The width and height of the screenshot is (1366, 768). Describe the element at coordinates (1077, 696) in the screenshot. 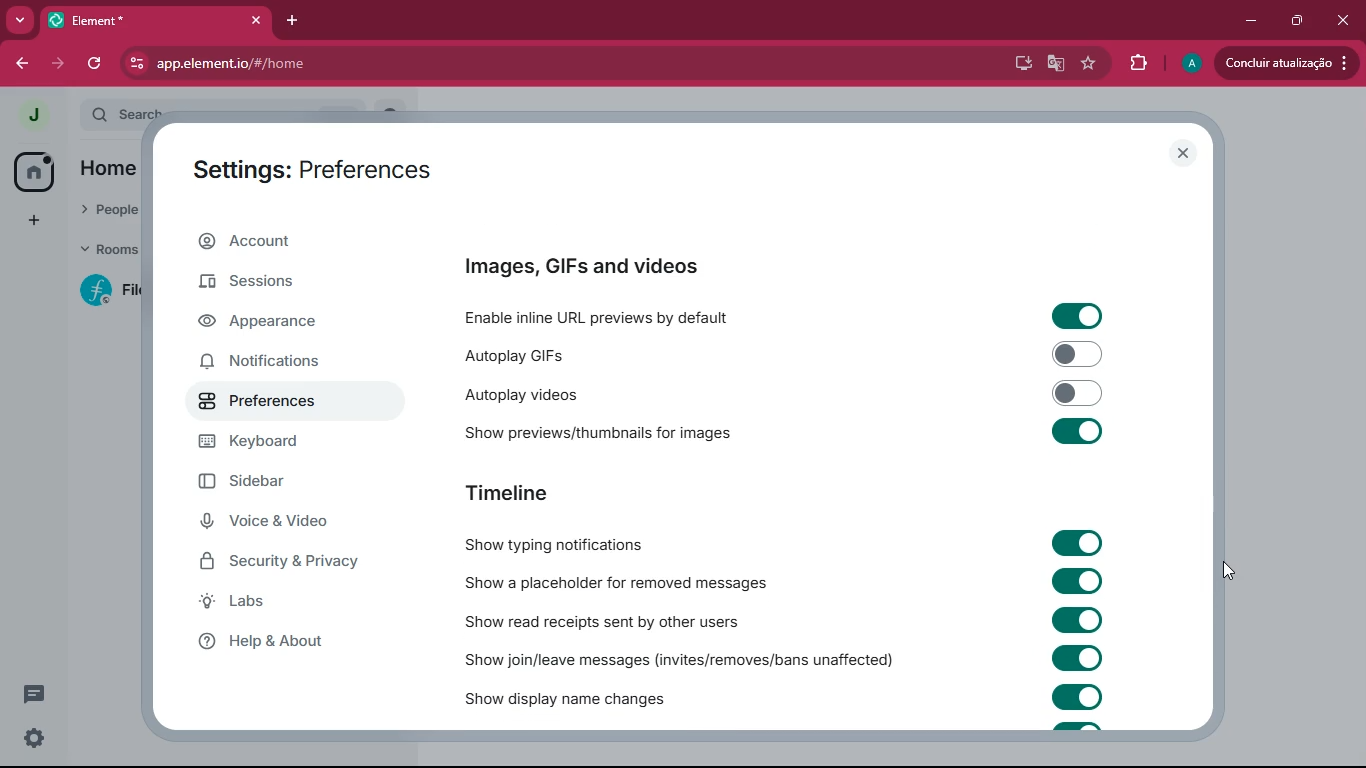

I see `toggle on/off` at that location.